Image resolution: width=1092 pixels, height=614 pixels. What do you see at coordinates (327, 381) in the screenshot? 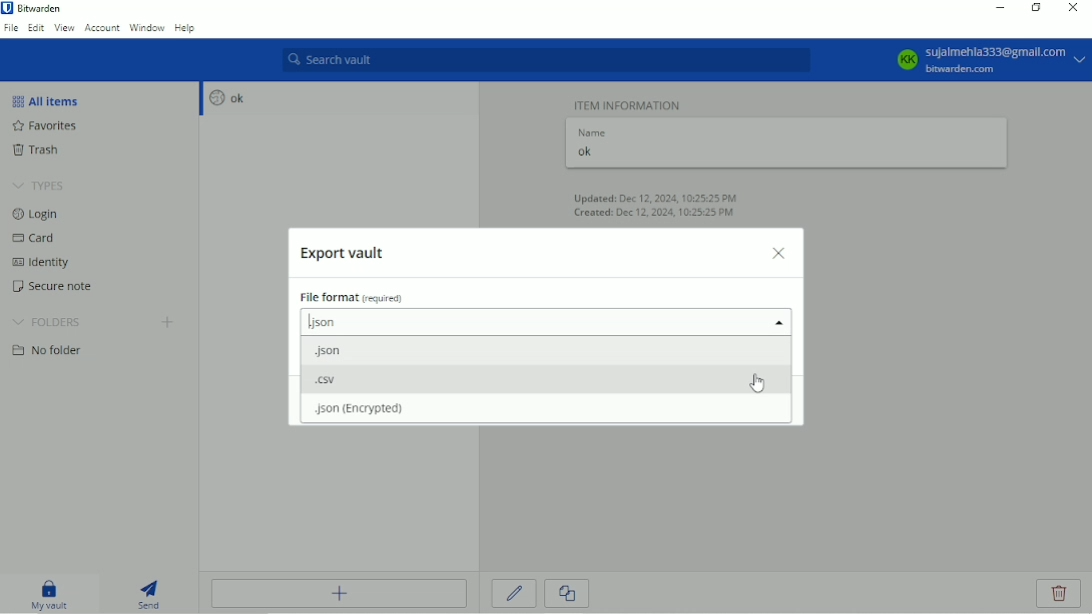
I see `.csv` at bounding box center [327, 381].